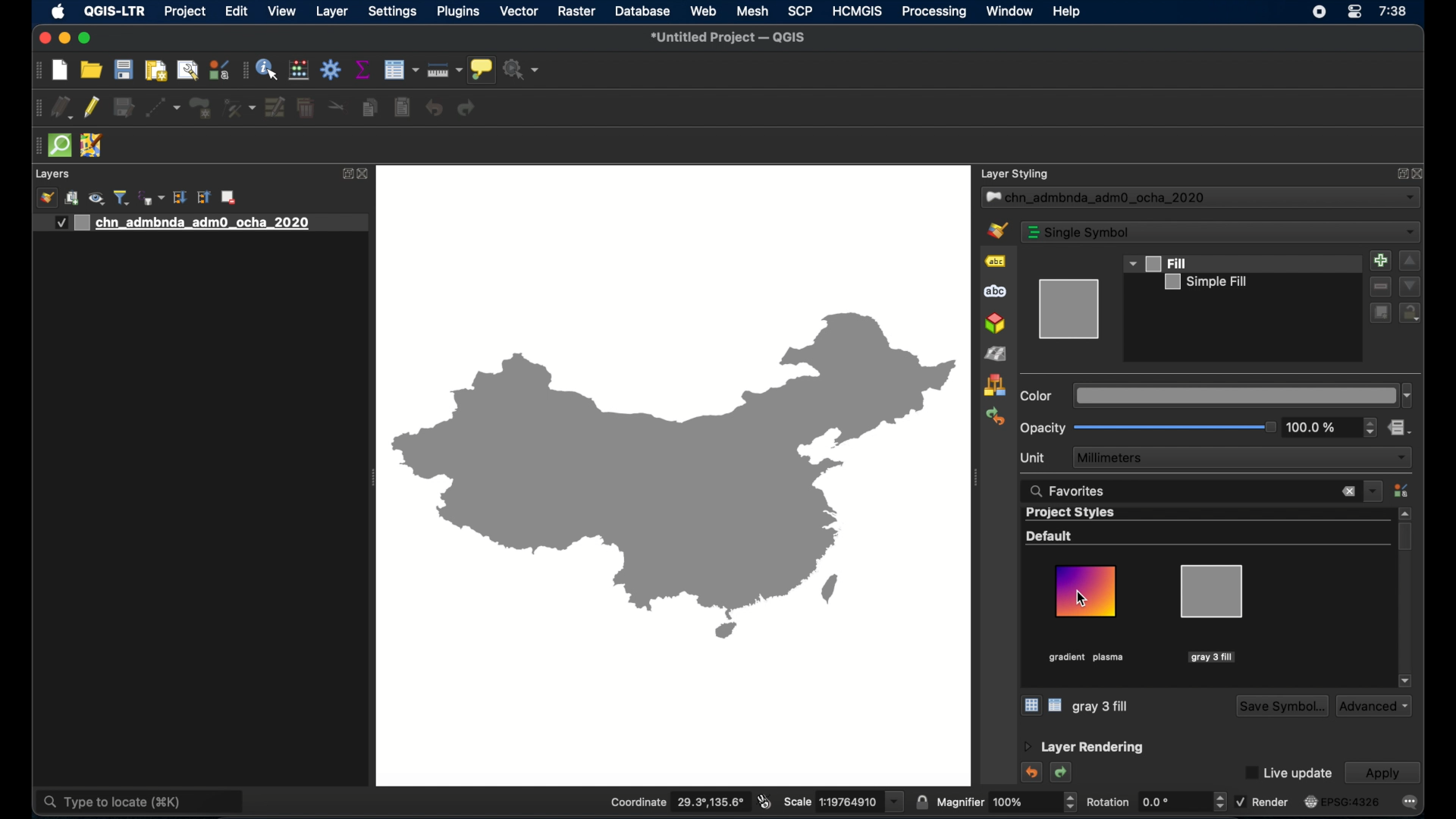 The width and height of the screenshot is (1456, 819). Describe the element at coordinates (62, 108) in the screenshot. I see `current layer edits` at that location.